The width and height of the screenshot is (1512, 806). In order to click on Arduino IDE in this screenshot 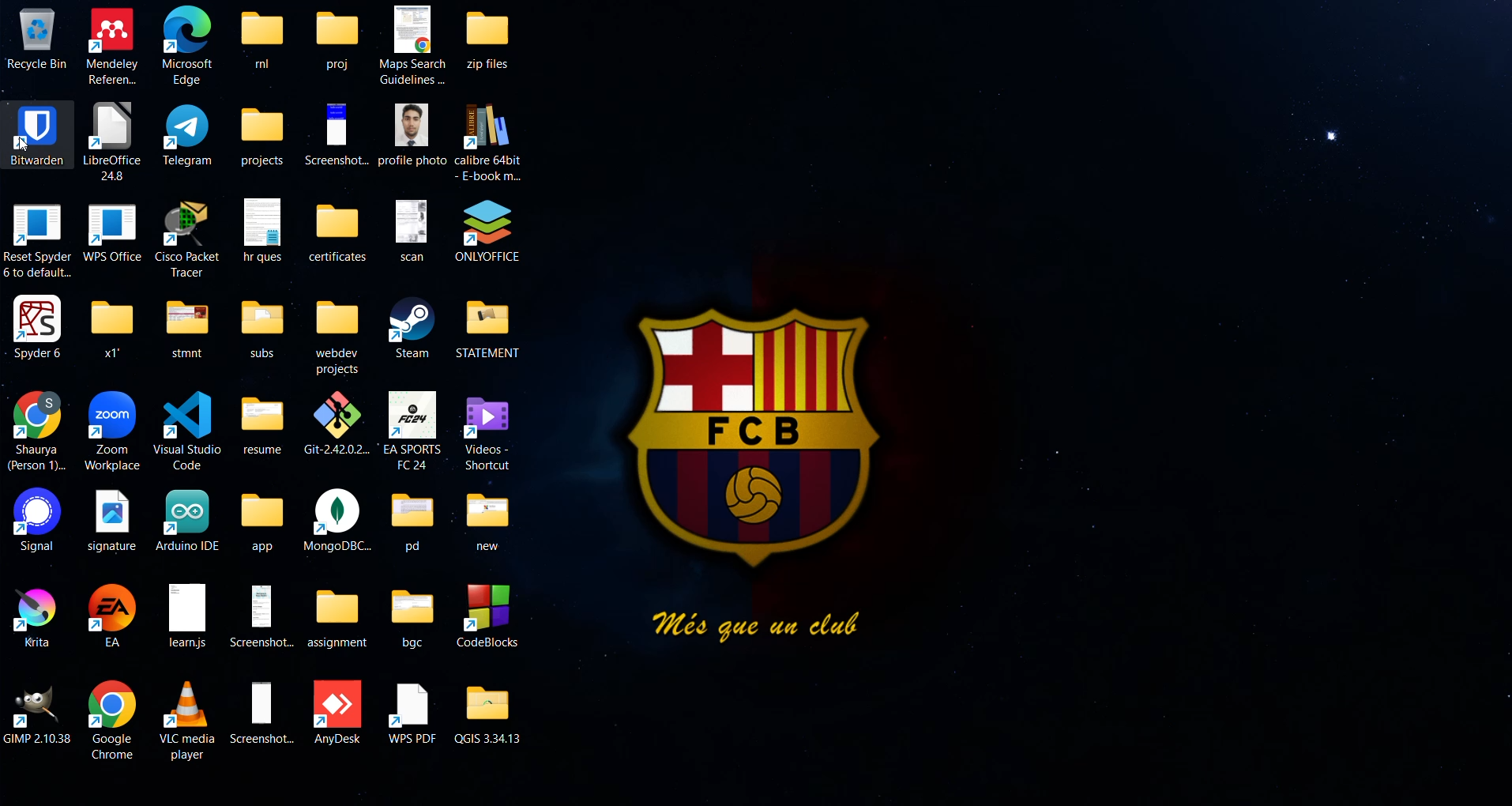, I will do `click(188, 519)`.